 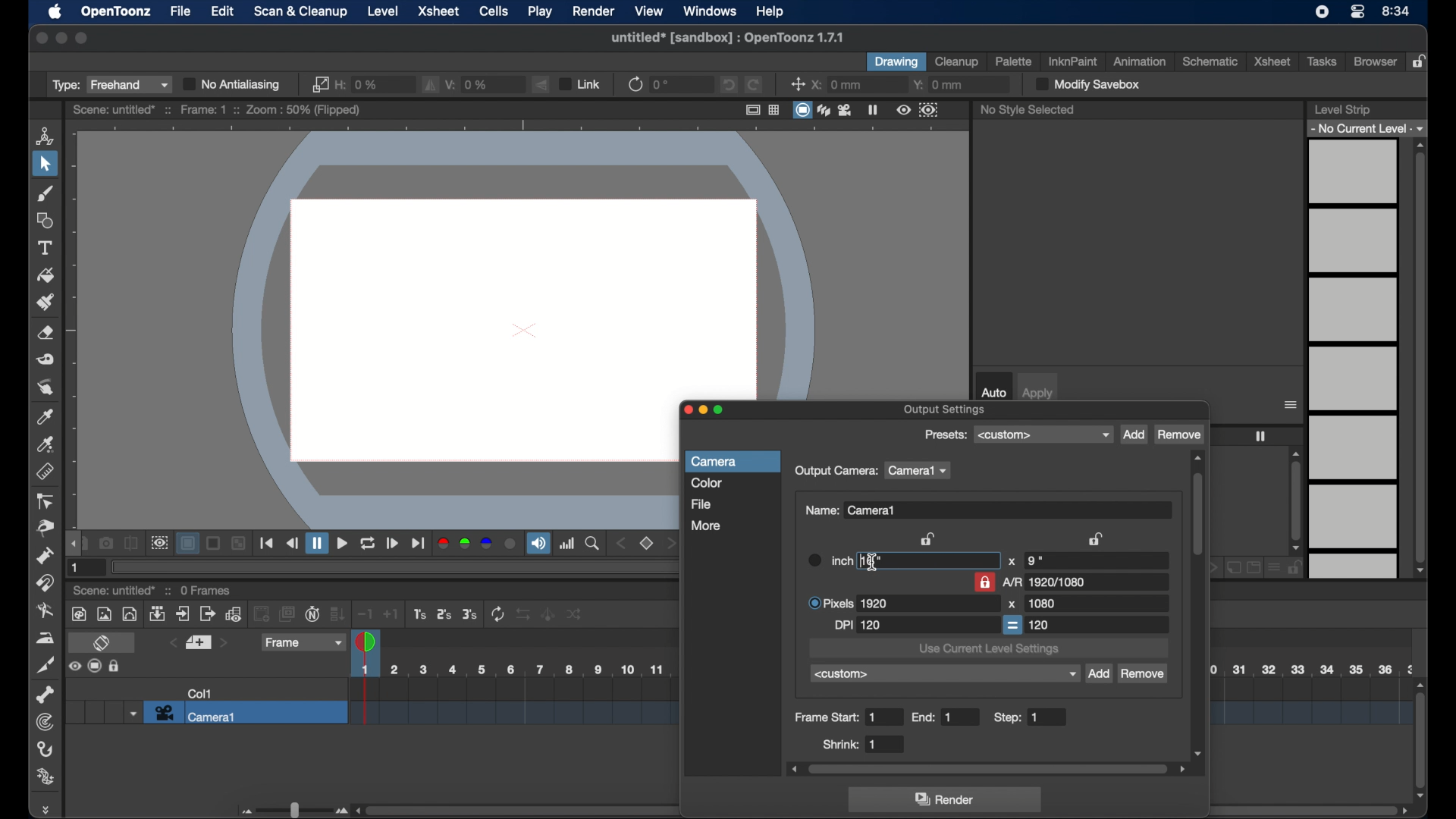 What do you see at coordinates (207, 613) in the screenshot?
I see `` at bounding box center [207, 613].